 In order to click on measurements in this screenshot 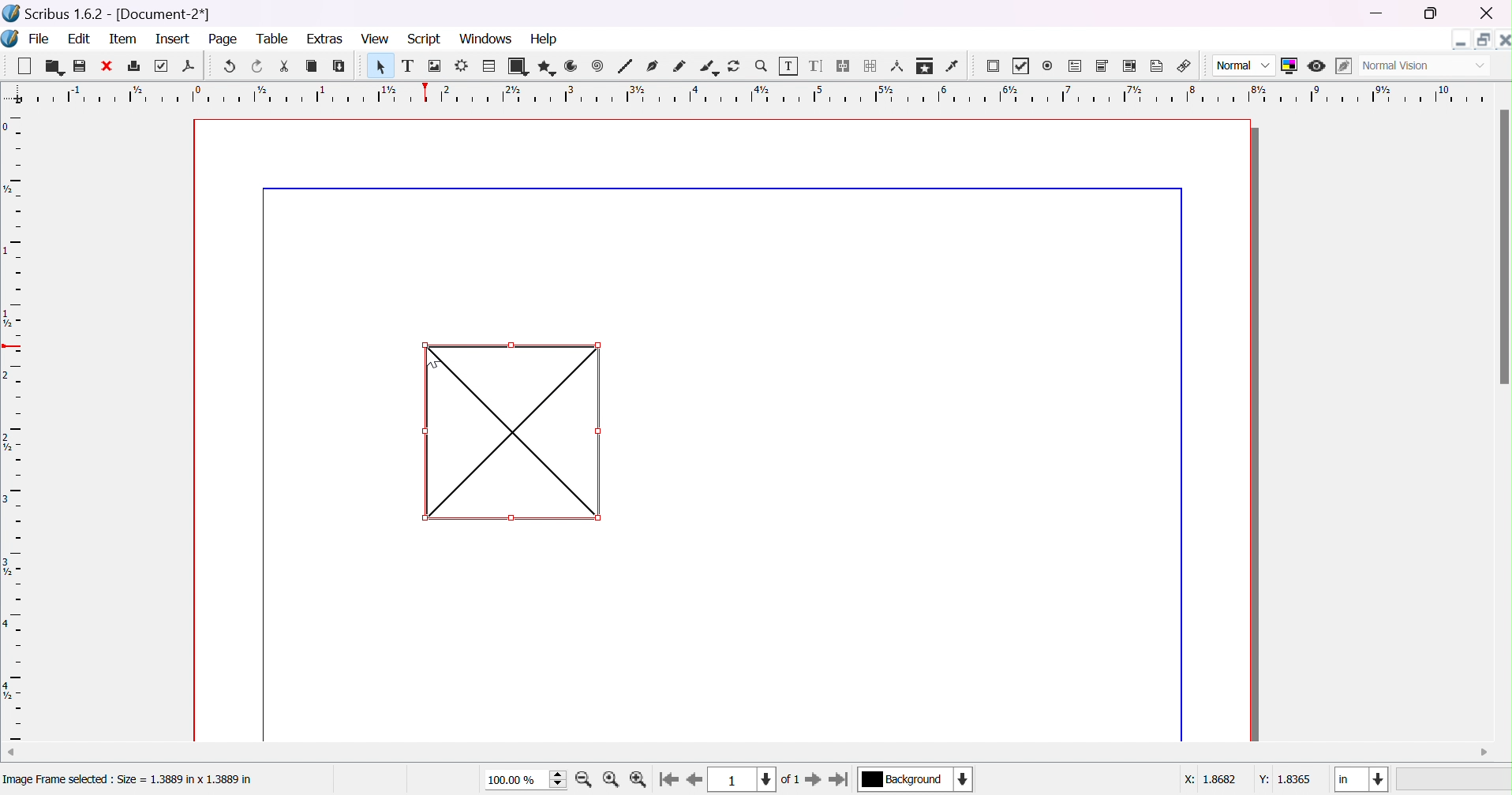, I will do `click(897, 66)`.